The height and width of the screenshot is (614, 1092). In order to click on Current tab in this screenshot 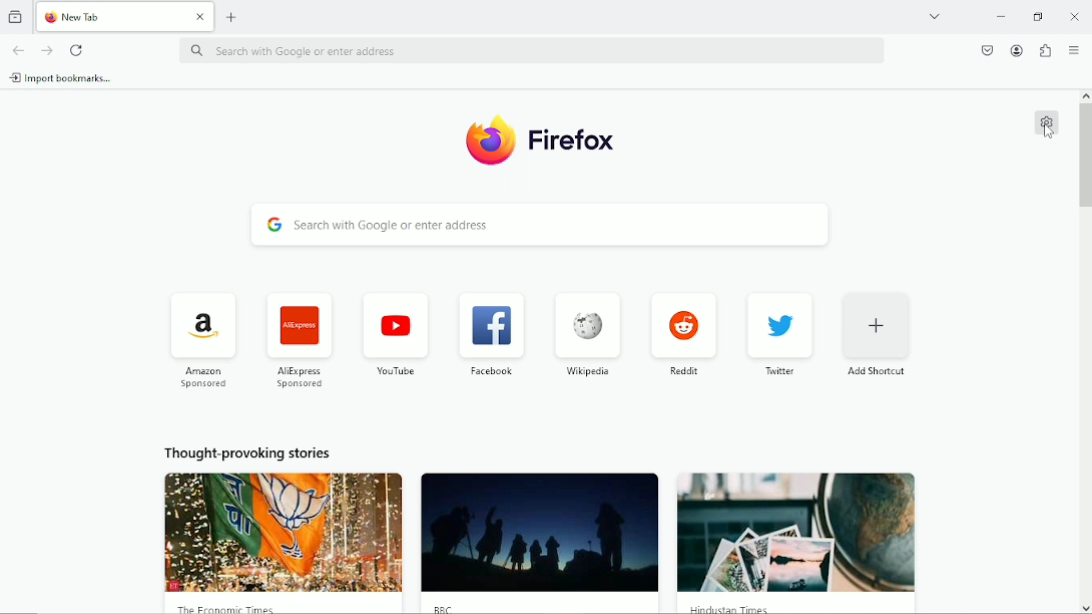, I will do `click(111, 16)`.